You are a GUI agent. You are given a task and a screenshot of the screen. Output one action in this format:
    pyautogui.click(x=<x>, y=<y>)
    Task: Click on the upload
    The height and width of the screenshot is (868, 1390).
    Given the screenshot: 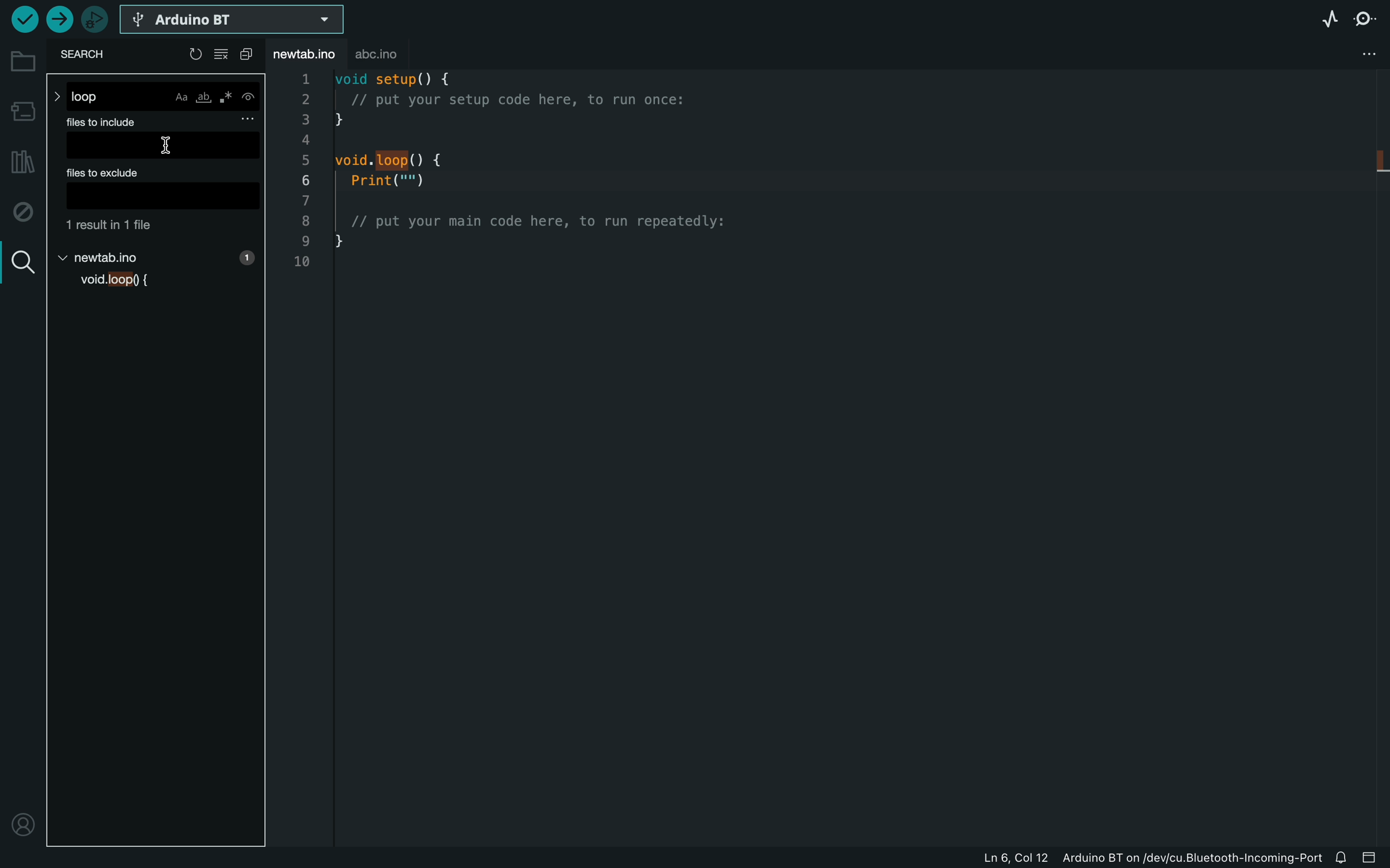 What is the action you would take?
    pyautogui.click(x=61, y=19)
    